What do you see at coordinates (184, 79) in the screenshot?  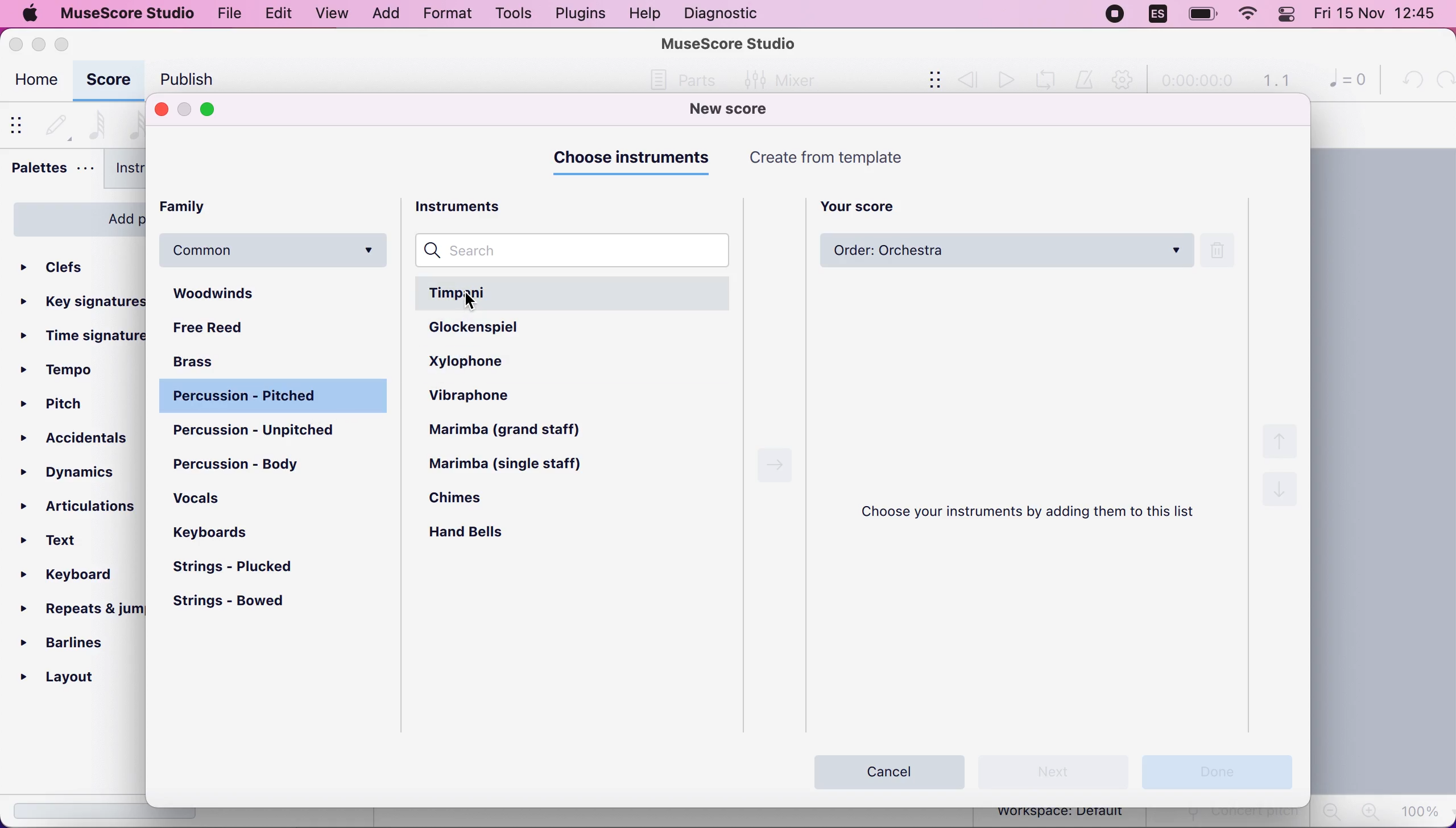 I see `publish` at bounding box center [184, 79].